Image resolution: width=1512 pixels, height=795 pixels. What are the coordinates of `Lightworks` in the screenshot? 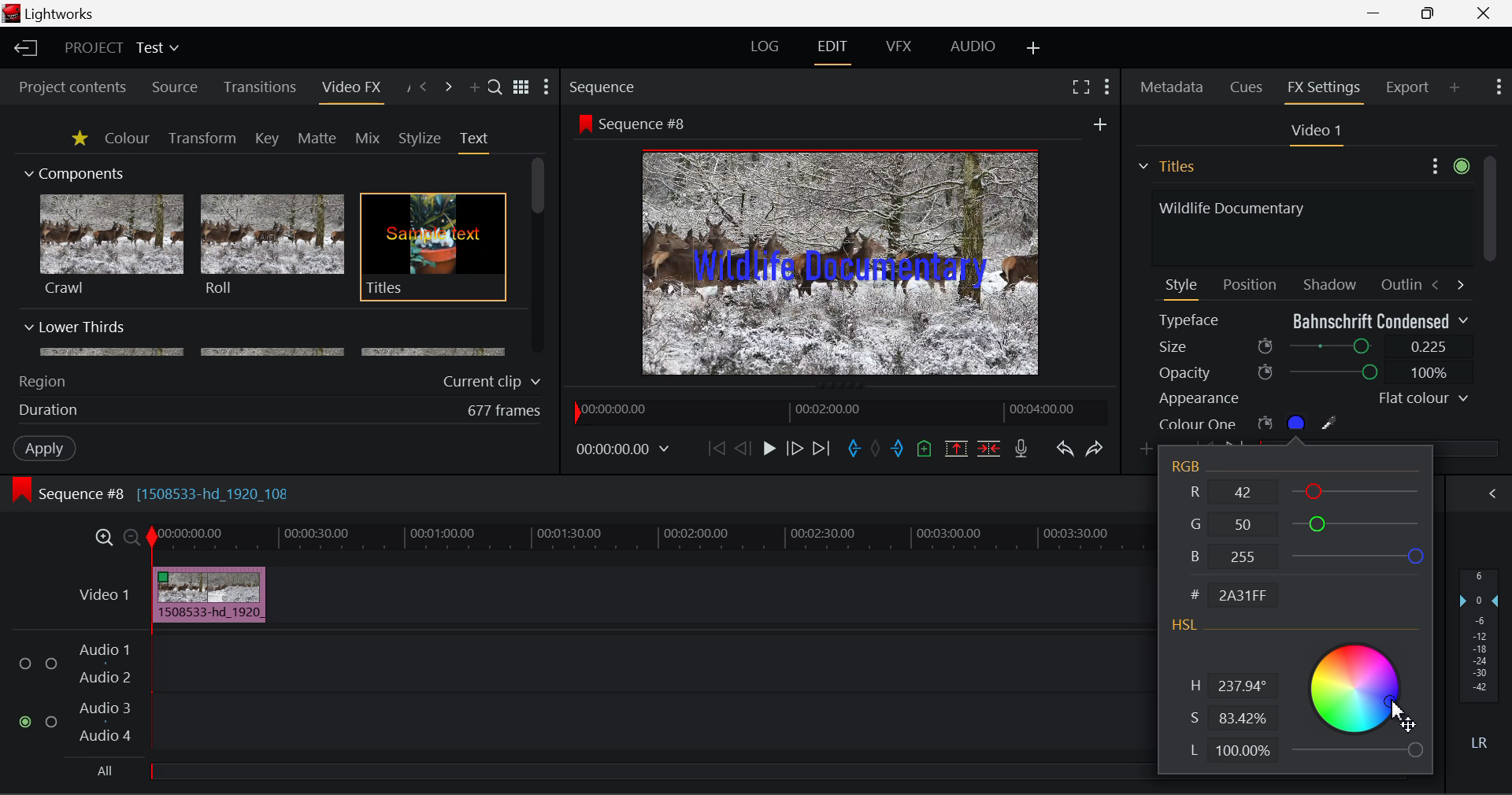 It's located at (61, 13).